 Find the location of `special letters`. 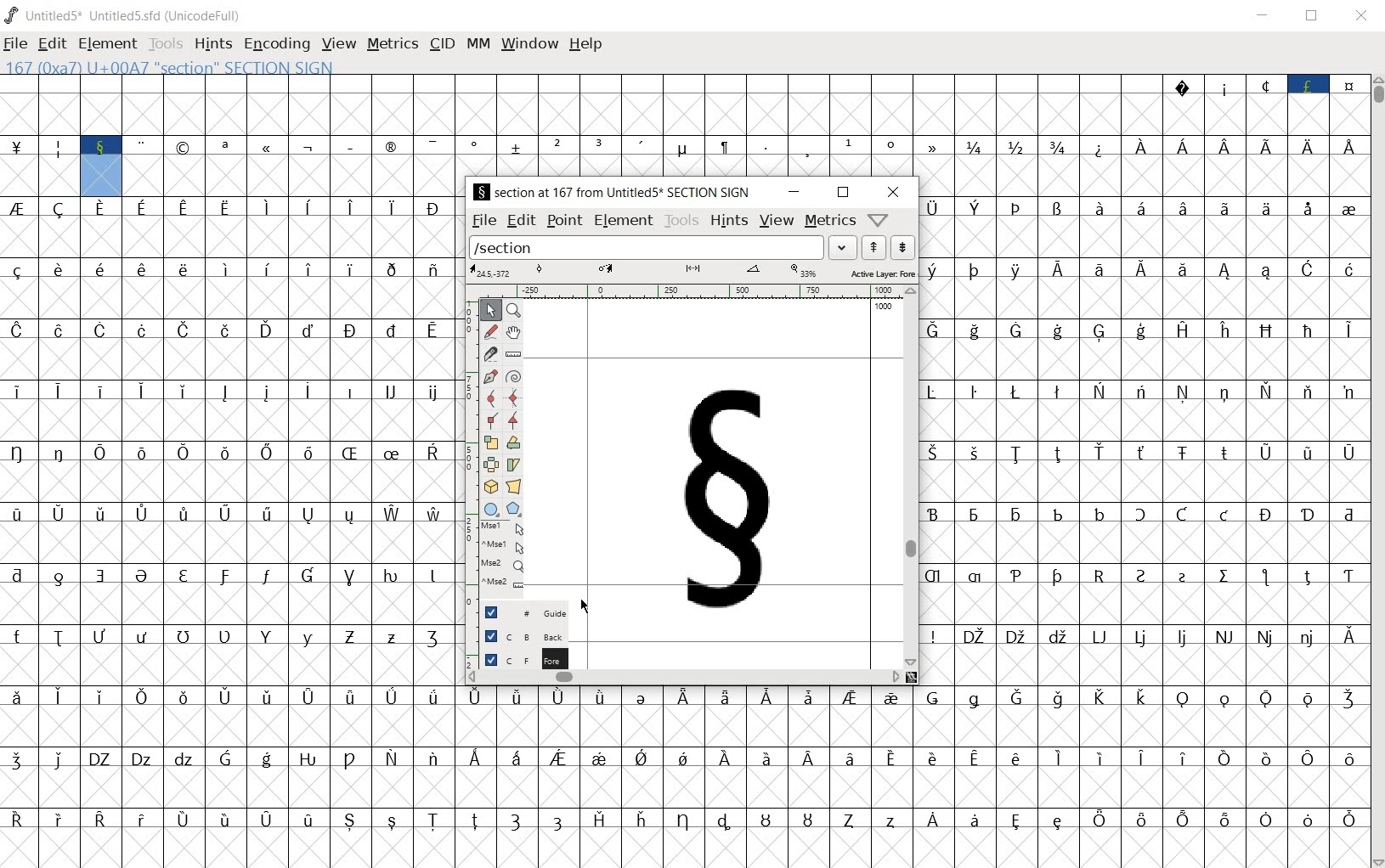

special letters is located at coordinates (1241, 146).